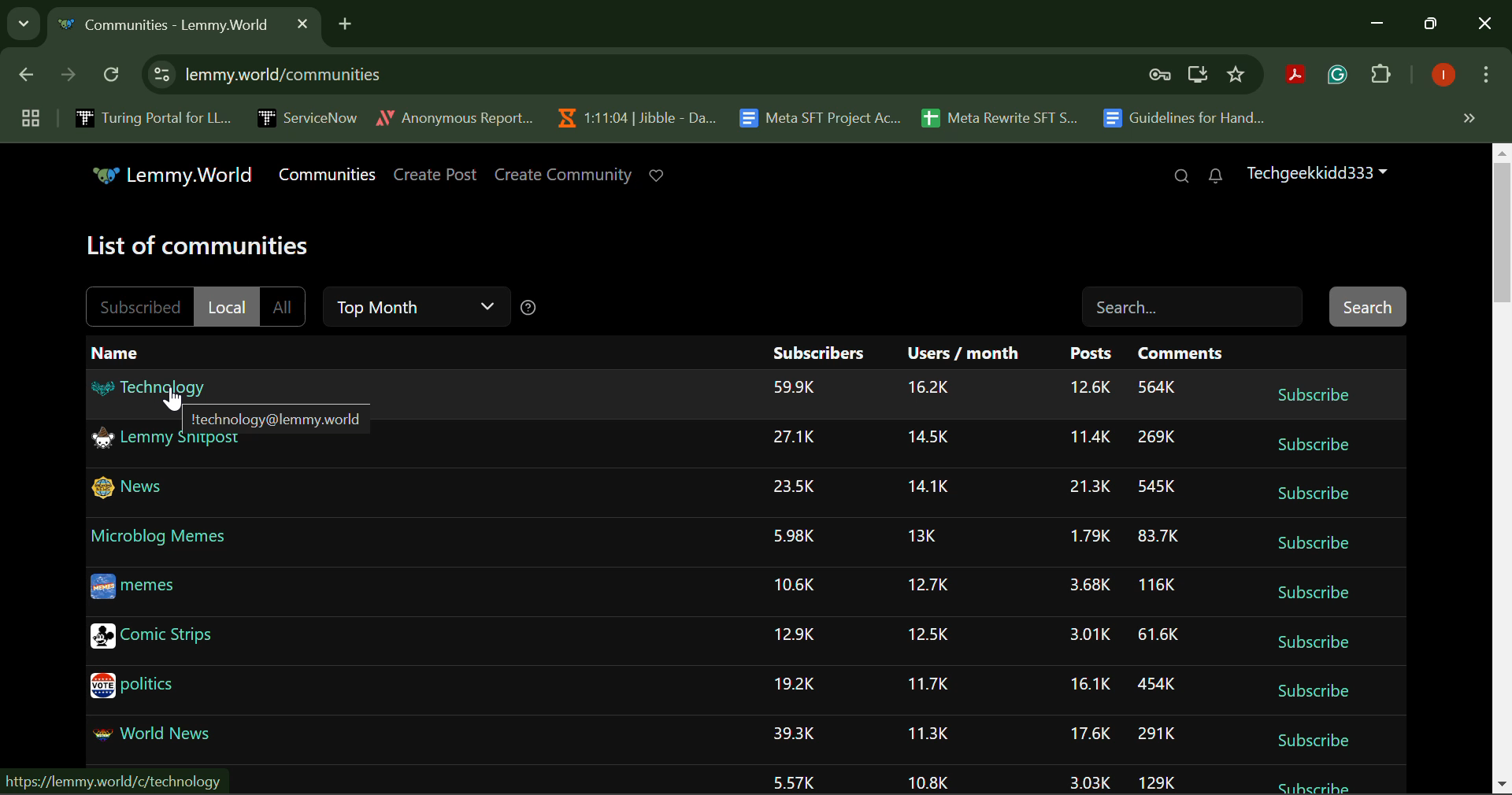 This screenshot has width=1512, height=795. What do you see at coordinates (169, 441) in the screenshot?
I see `Lemmy Shitpost Community Link` at bounding box center [169, 441].